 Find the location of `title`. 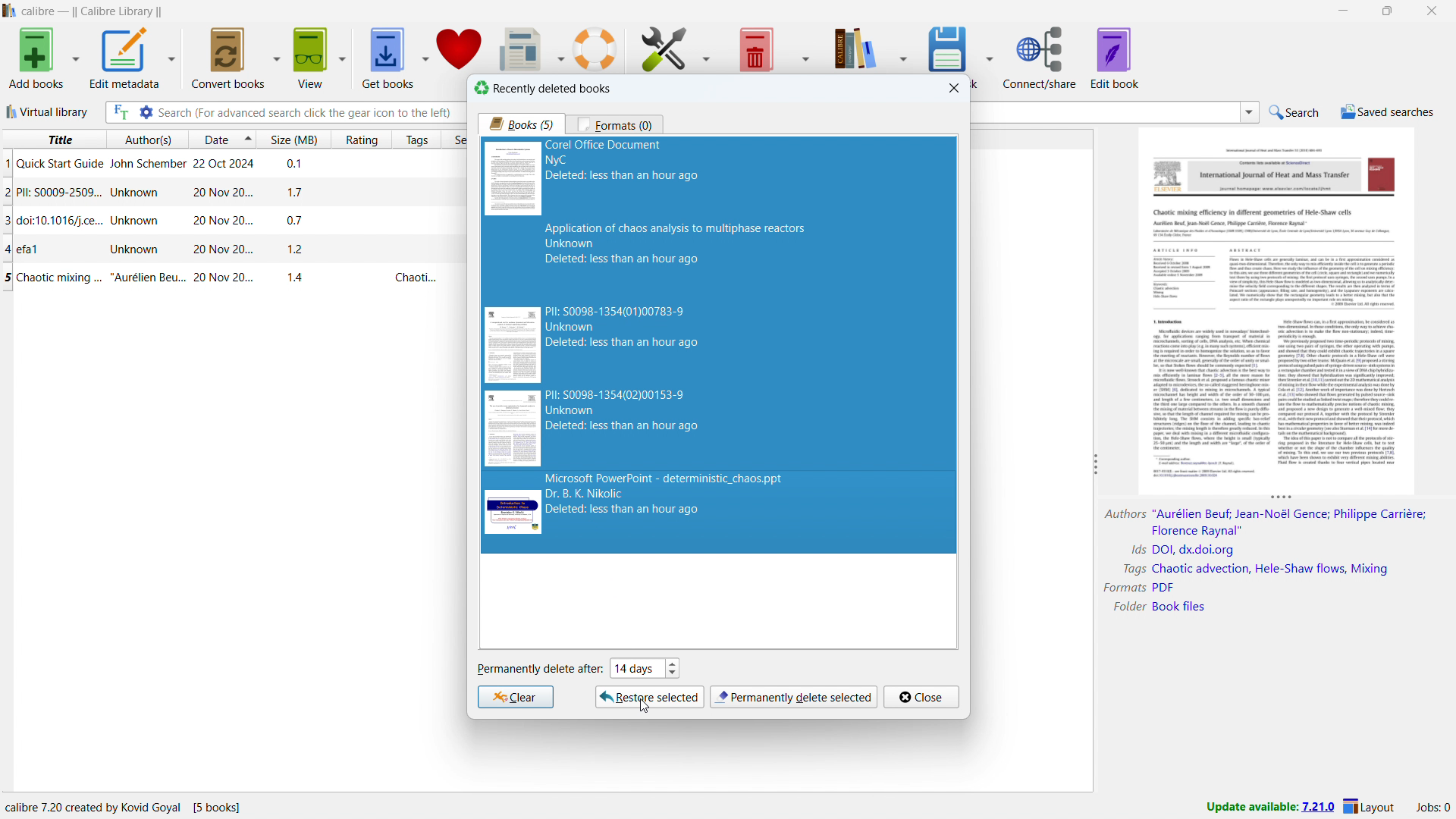

title is located at coordinates (93, 11).